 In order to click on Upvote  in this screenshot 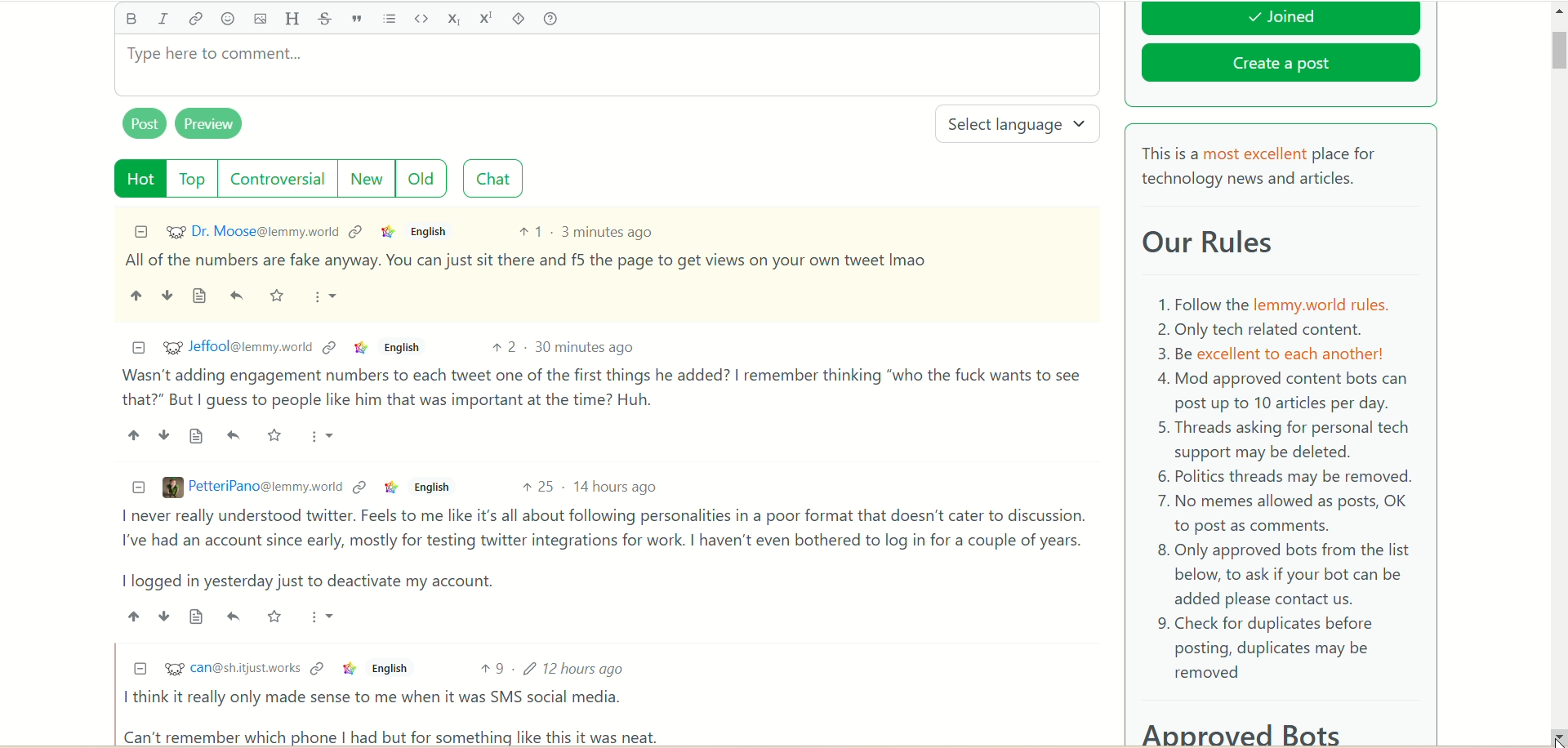, I will do `click(132, 434)`.